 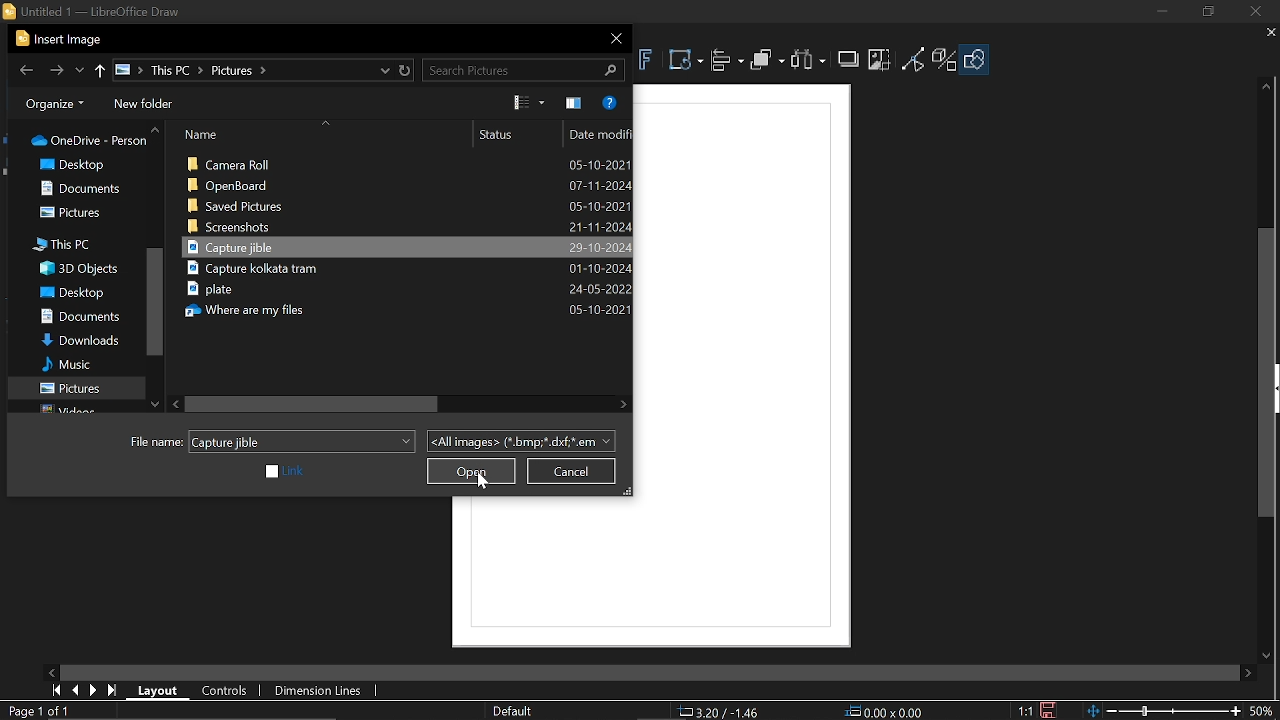 What do you see at coordinates (492, 130) in the screenshot?
I see `Status` at bounding box center [492, 130].